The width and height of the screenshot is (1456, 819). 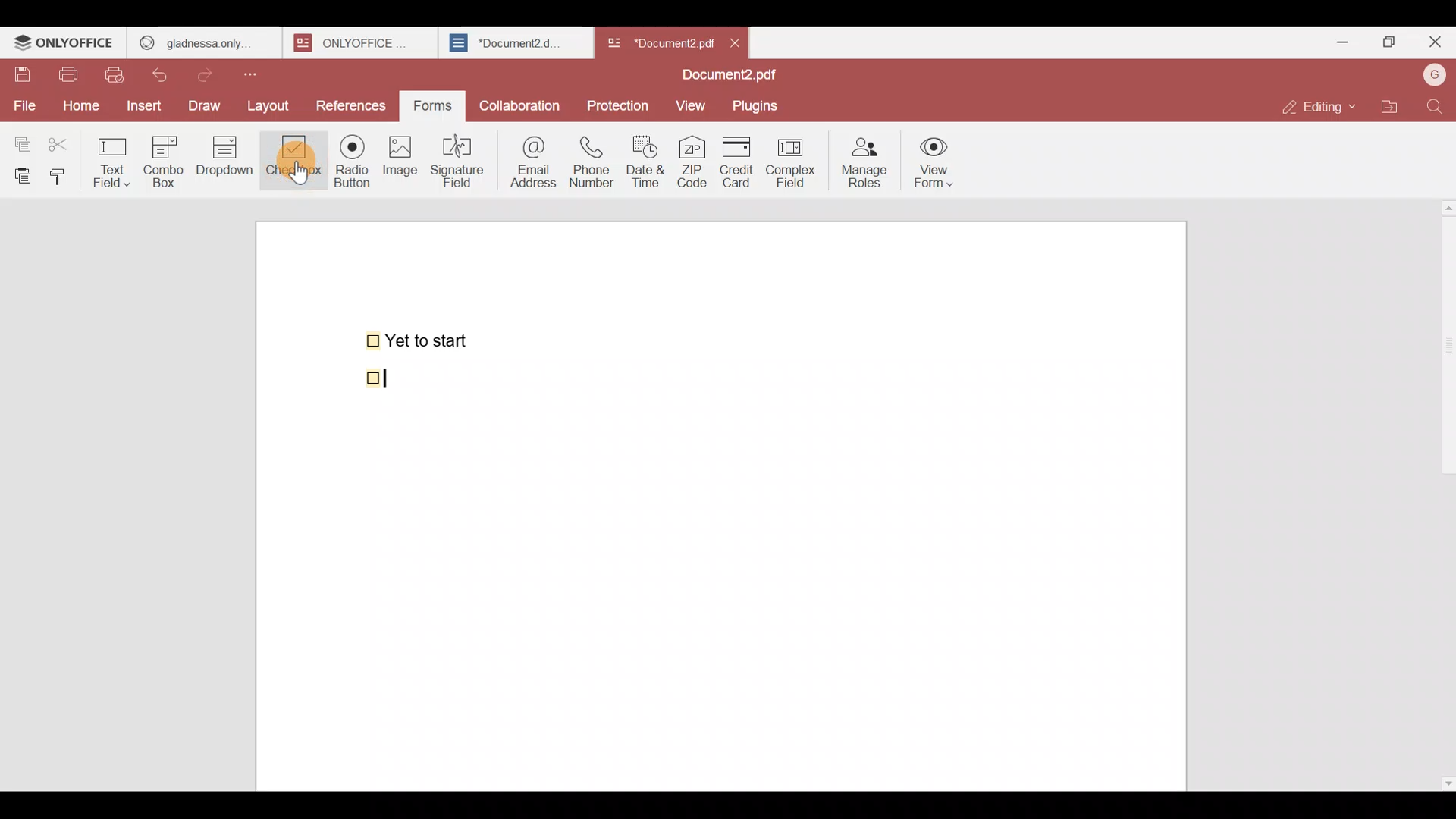 What do you see at coordinates (119, 74) in the screenshot?
I see `Quick print` at bounding box center [119, 74].